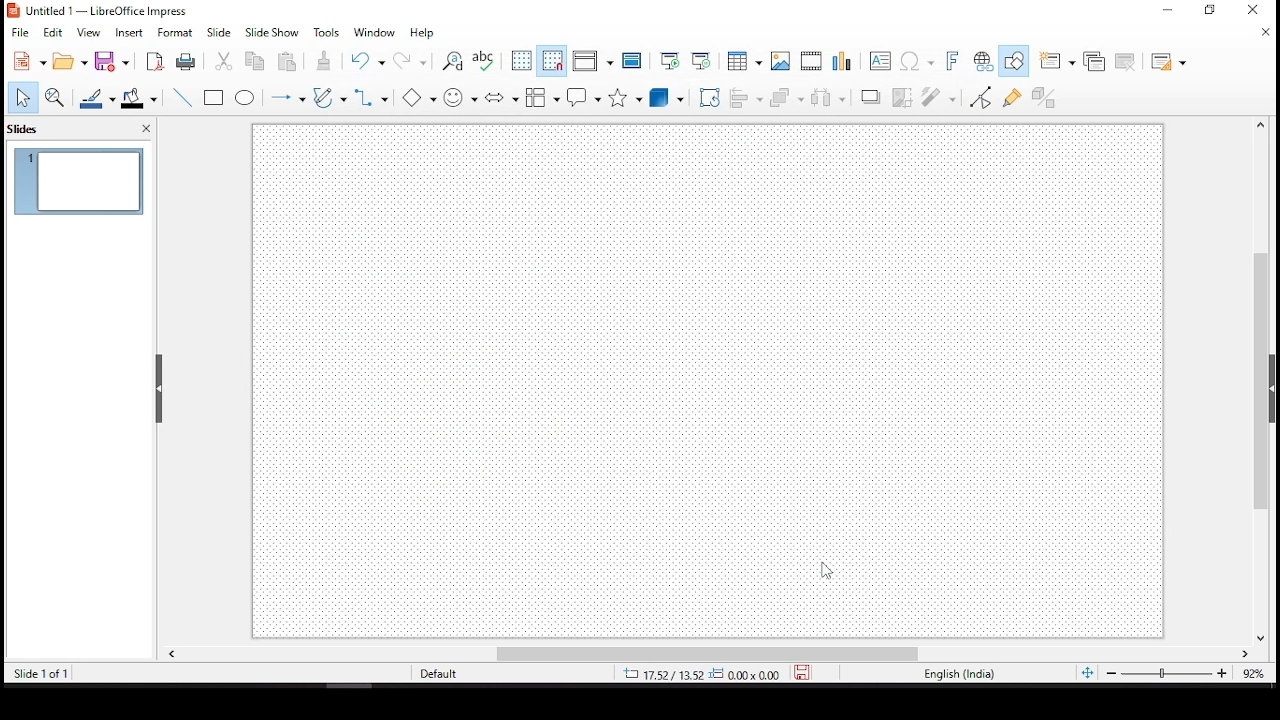 This screenshot has height=720, width=1280. Describe the element at coordinates (1015, 59) in the screenshot. I see `show draw functions` at that location.